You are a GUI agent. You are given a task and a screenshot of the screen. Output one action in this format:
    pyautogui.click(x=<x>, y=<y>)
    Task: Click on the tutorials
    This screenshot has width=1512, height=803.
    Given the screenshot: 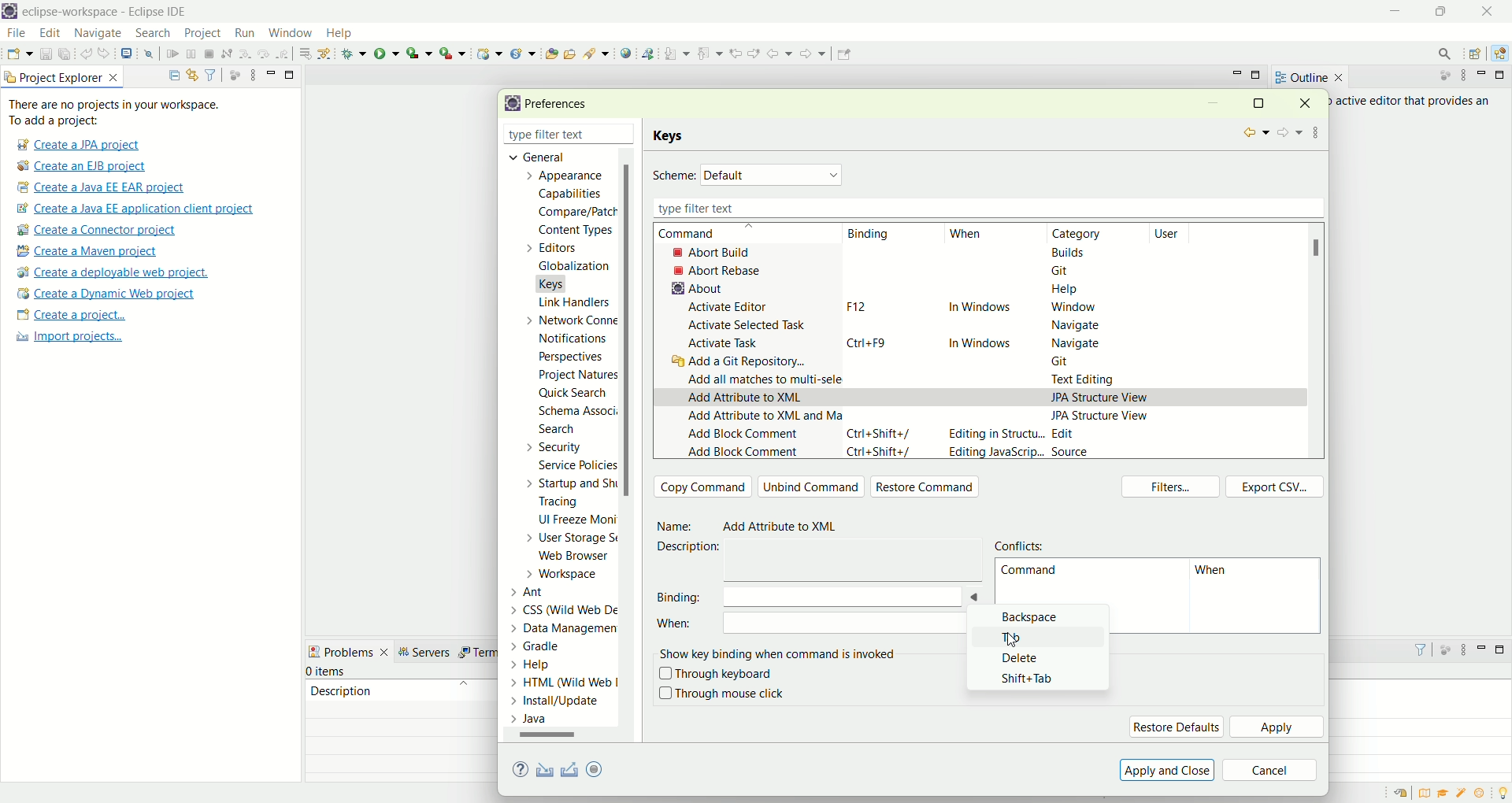 What is the action you would take?
    pyautogui.click(x=1443, y=794)
    